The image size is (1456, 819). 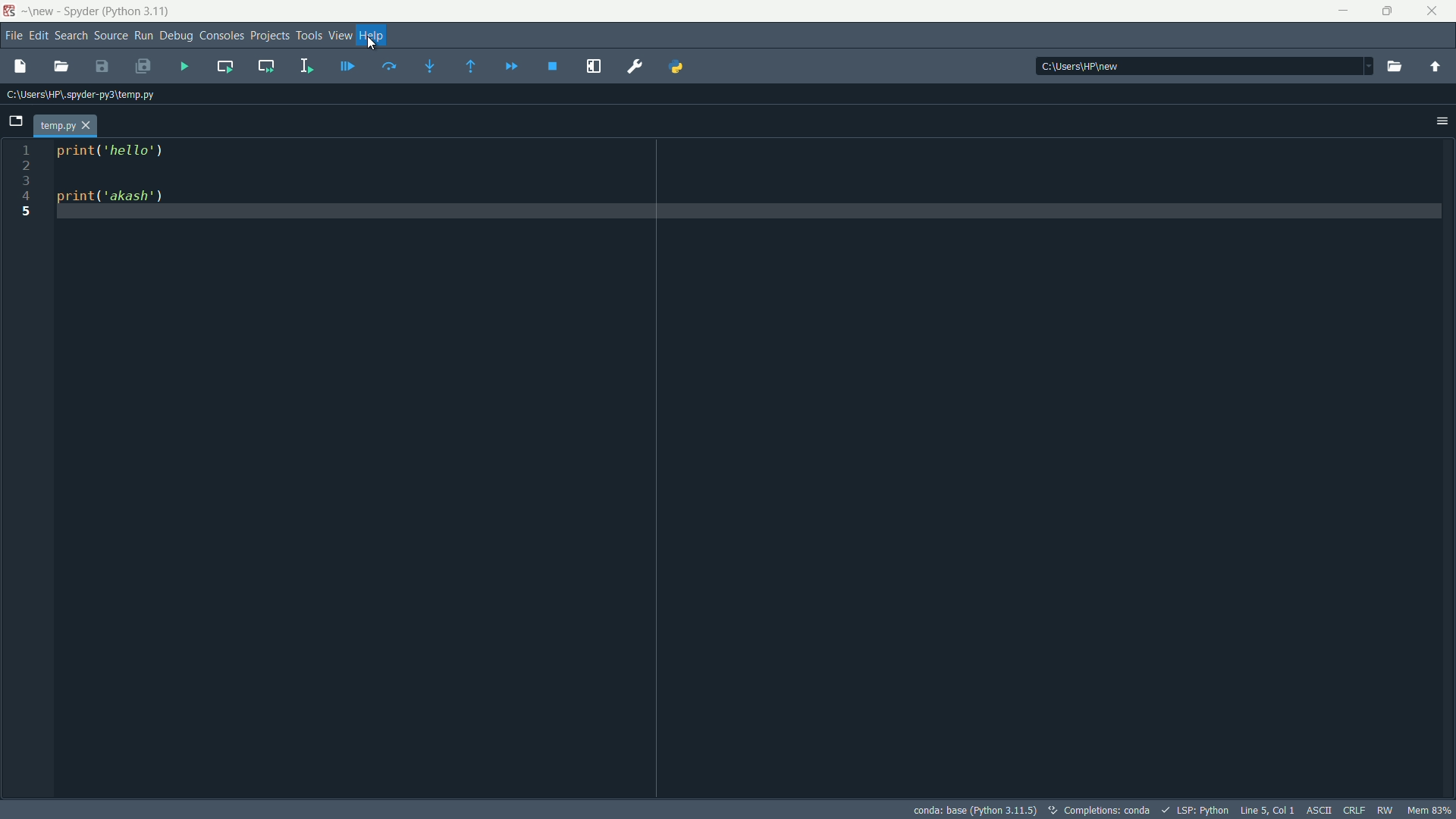 I want to click on continue execution until next function, so click(x=471, y=66).